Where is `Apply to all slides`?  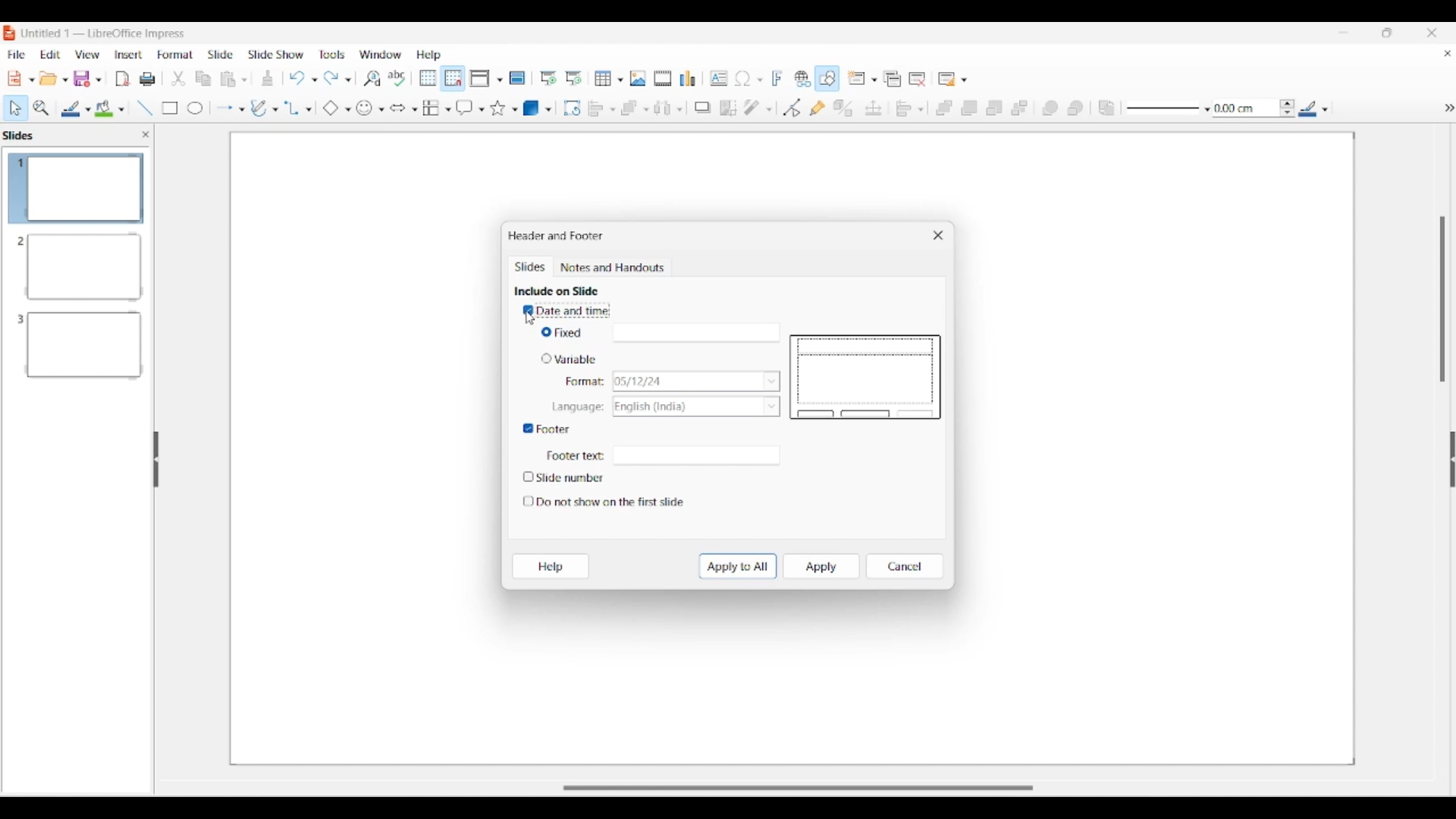
Apply to all slides is located at coordinates (738, 566).